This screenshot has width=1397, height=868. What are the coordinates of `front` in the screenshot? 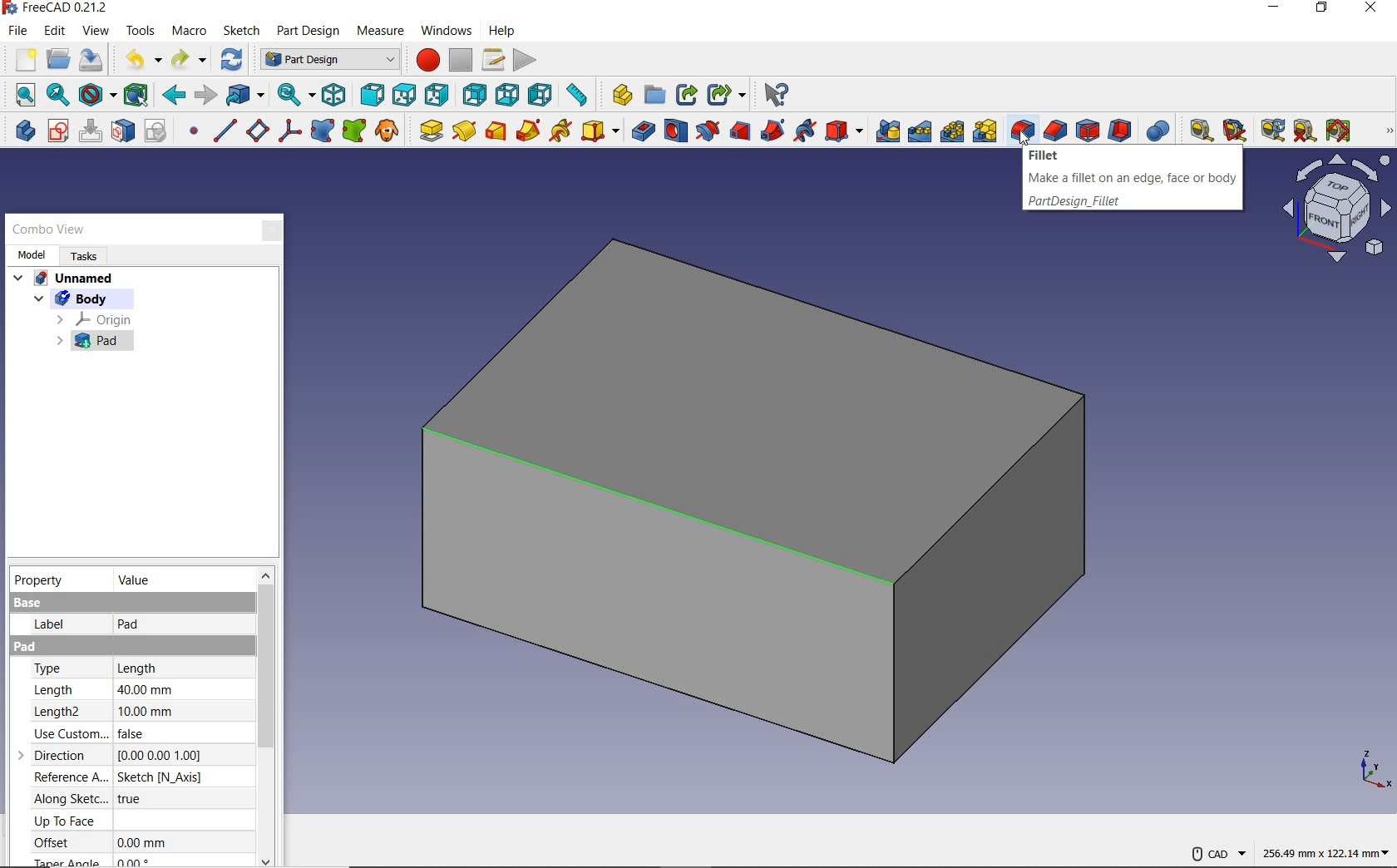 It's located at (373, 94).